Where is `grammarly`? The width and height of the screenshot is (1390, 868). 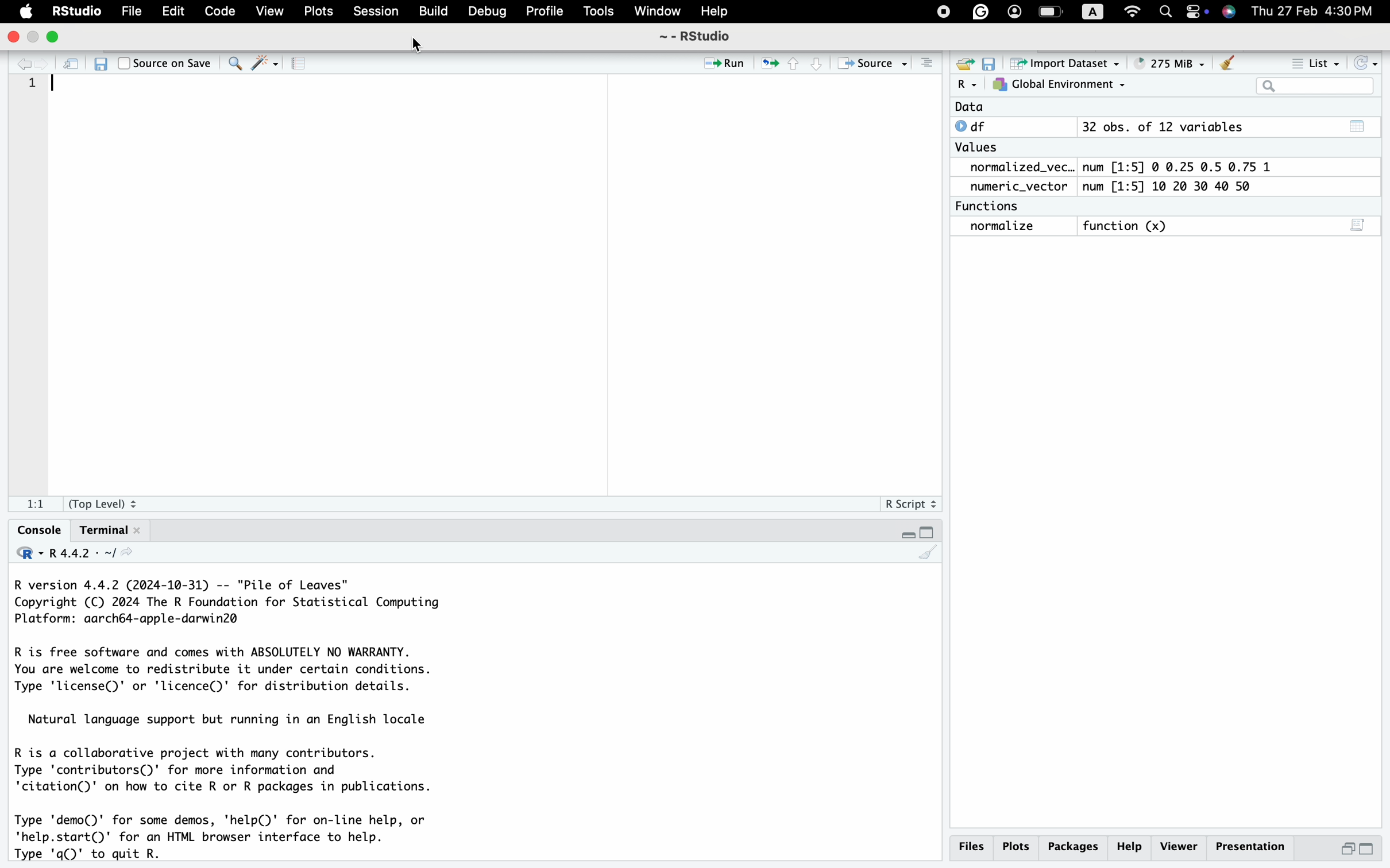
grammarly is located at coordinates (980, 11).